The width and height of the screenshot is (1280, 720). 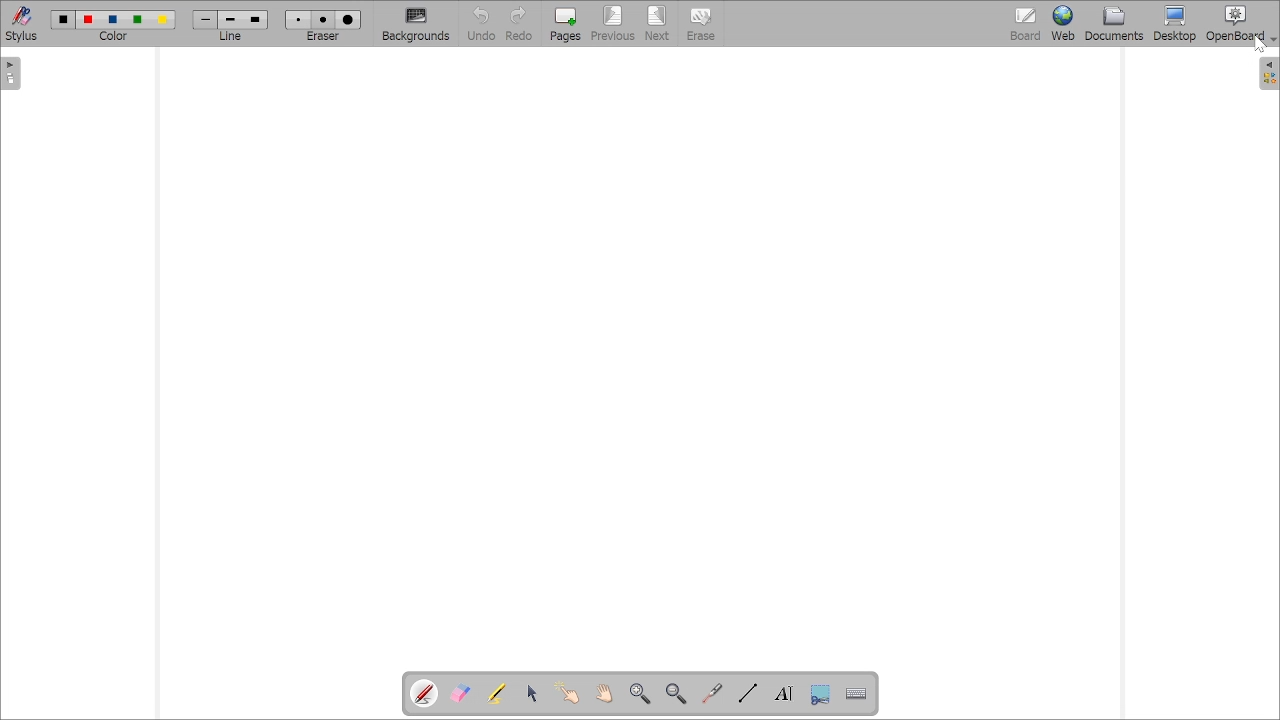 I want to click on Zoom in, so click(x=641, y=694).